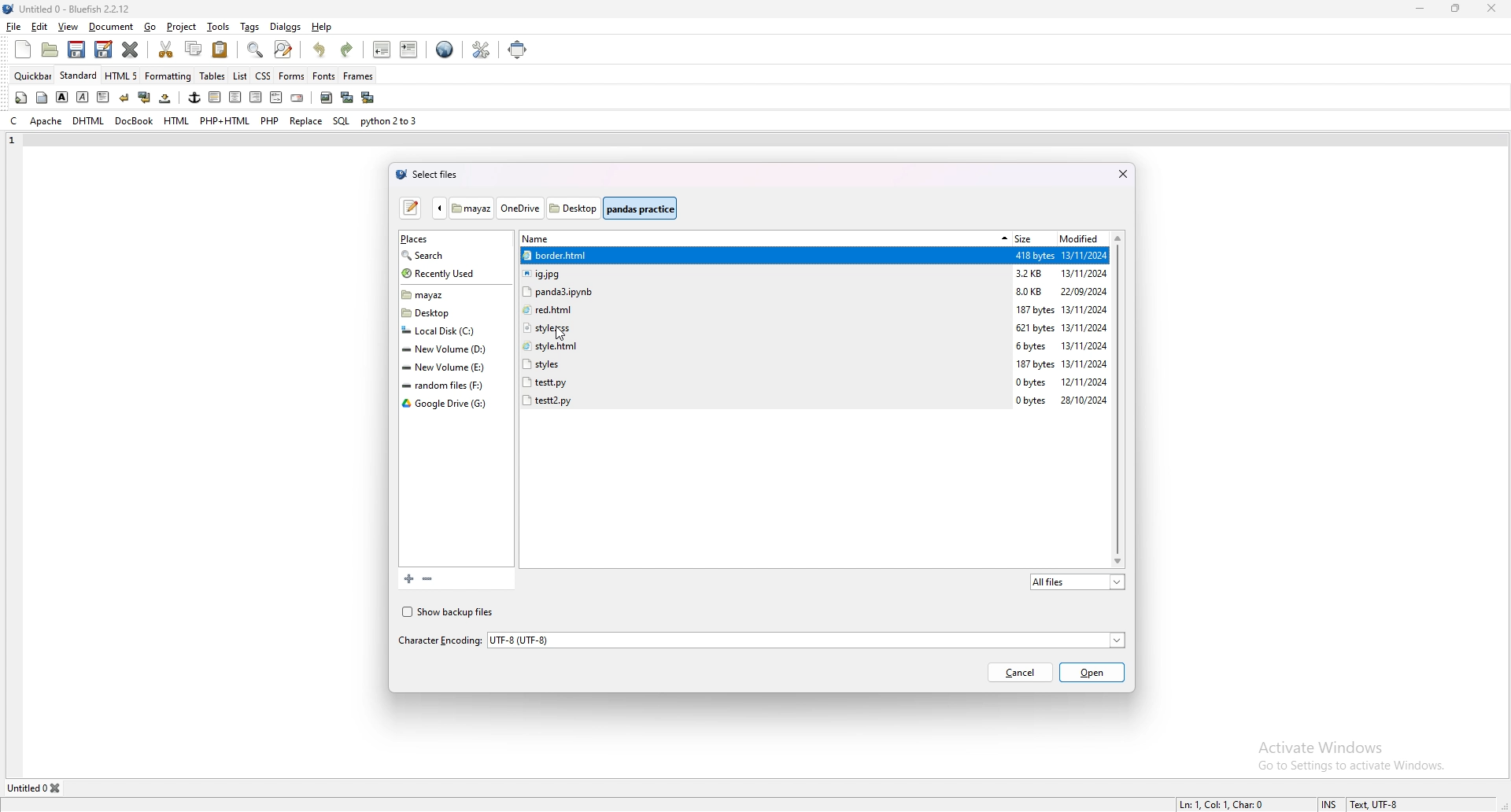  What do you see at coordinates (451, 368) in the screenshot?
I see `folder` at bounding box center [451, 368].